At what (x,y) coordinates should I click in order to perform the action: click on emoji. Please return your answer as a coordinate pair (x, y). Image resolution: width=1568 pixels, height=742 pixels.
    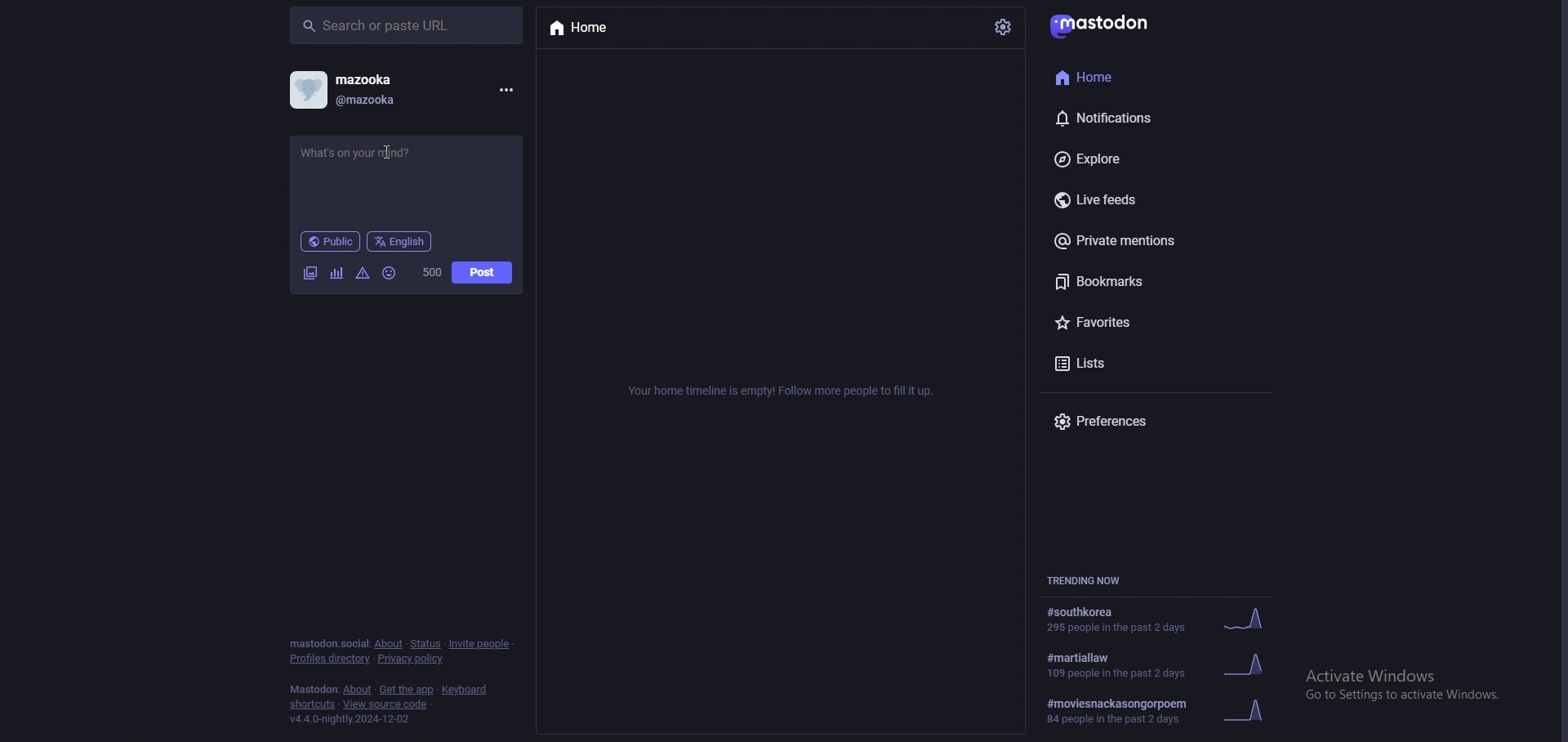
    Looking at the image, I should click on (390, 273).